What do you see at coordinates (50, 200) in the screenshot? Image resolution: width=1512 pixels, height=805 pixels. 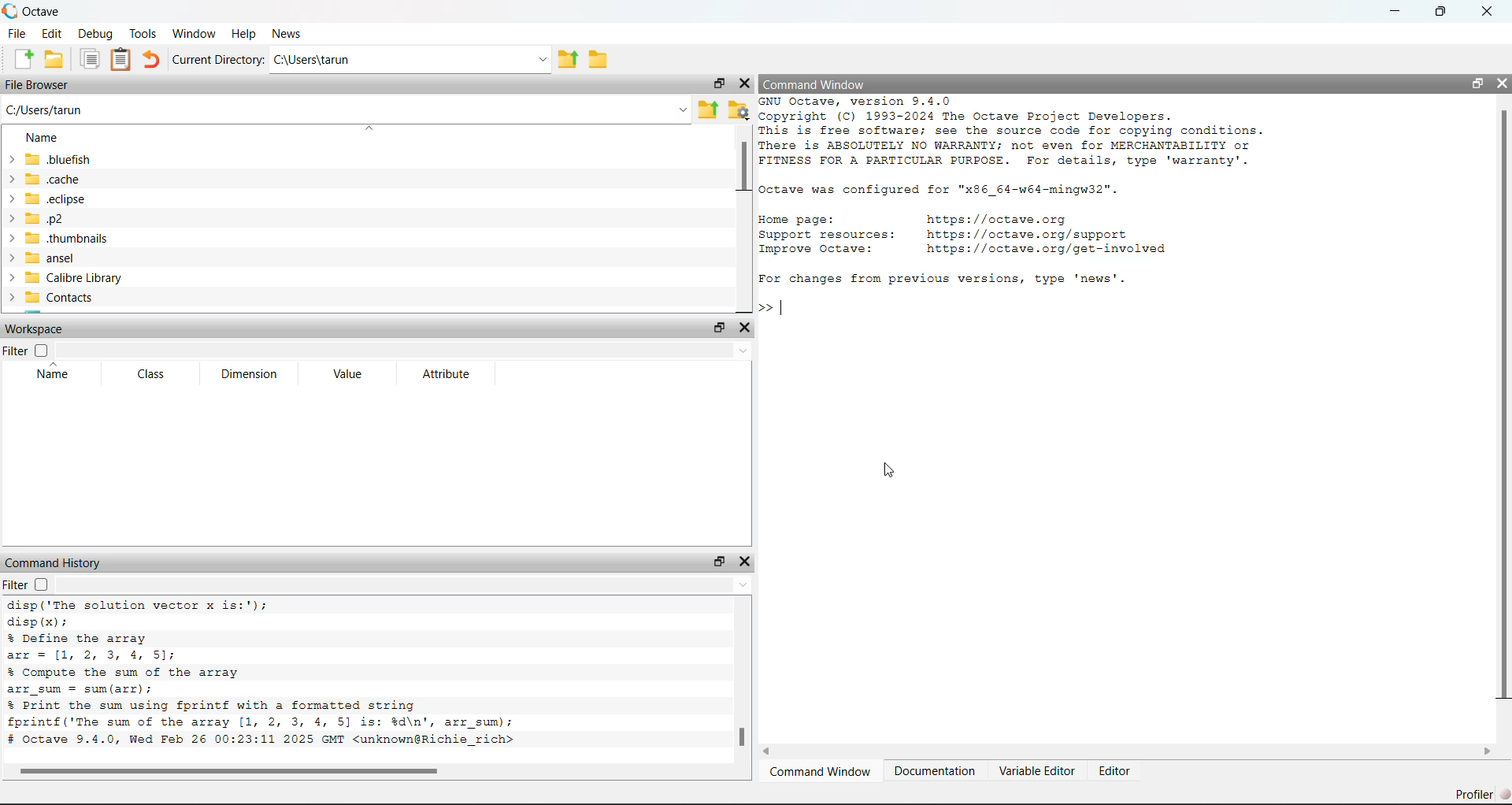 I see `eclipse` at bounding box center [50, 200].